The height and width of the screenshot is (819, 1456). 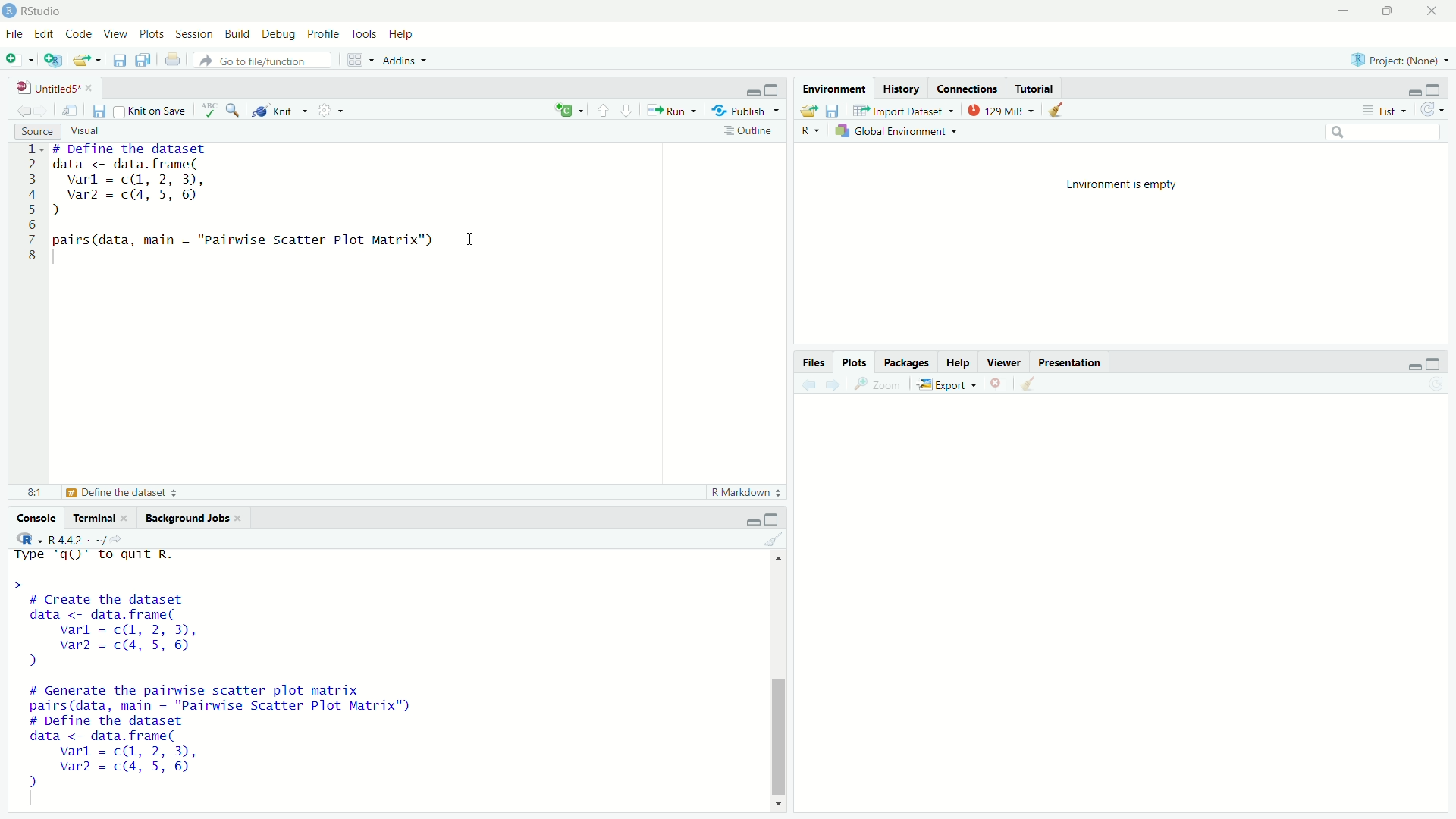 What do you see at coordinates (38, 11) in the screenshot?
I see `RStudio` at bounding box center [38, 11].